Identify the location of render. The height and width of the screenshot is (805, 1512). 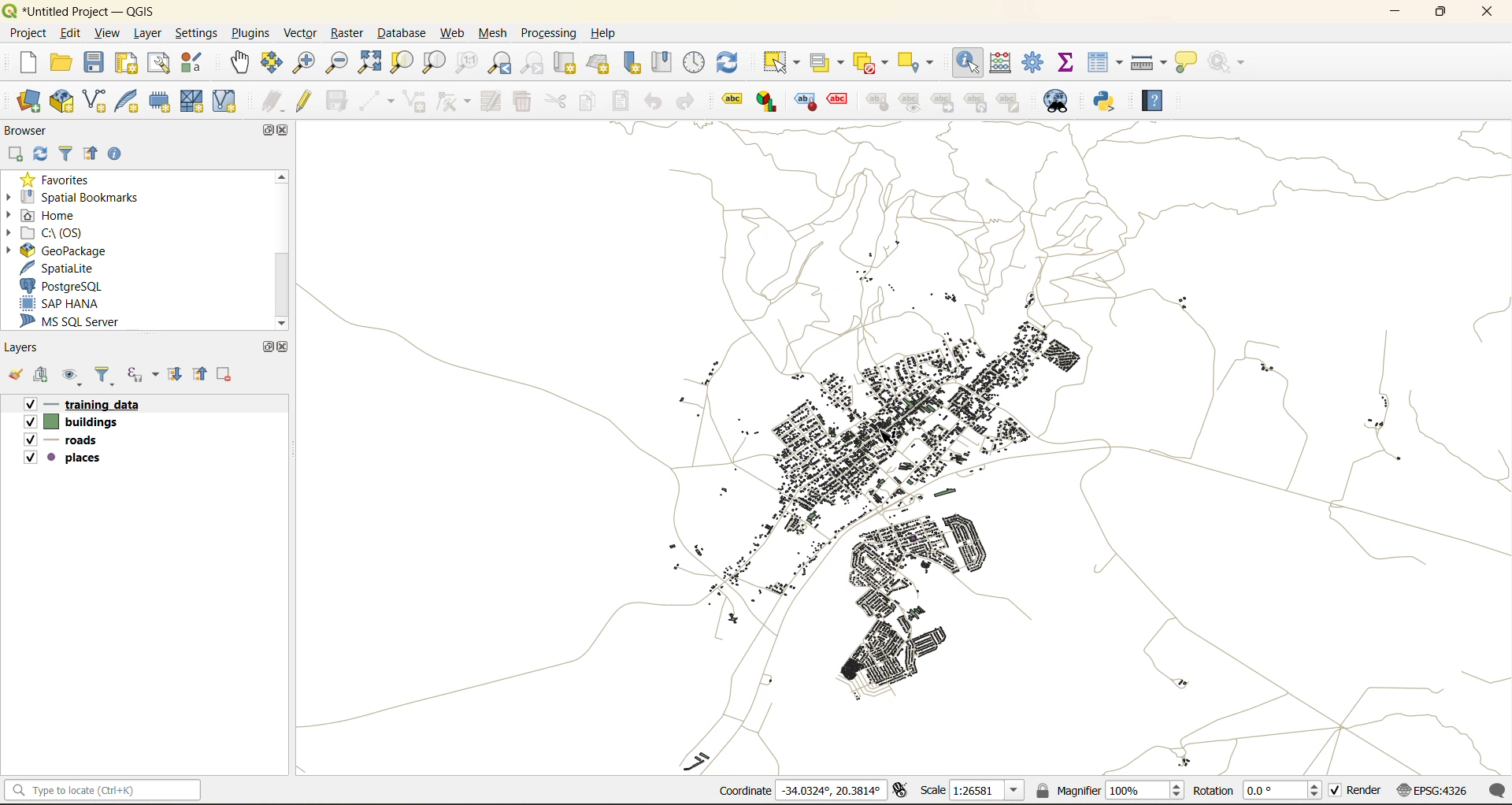
(1357, 793).